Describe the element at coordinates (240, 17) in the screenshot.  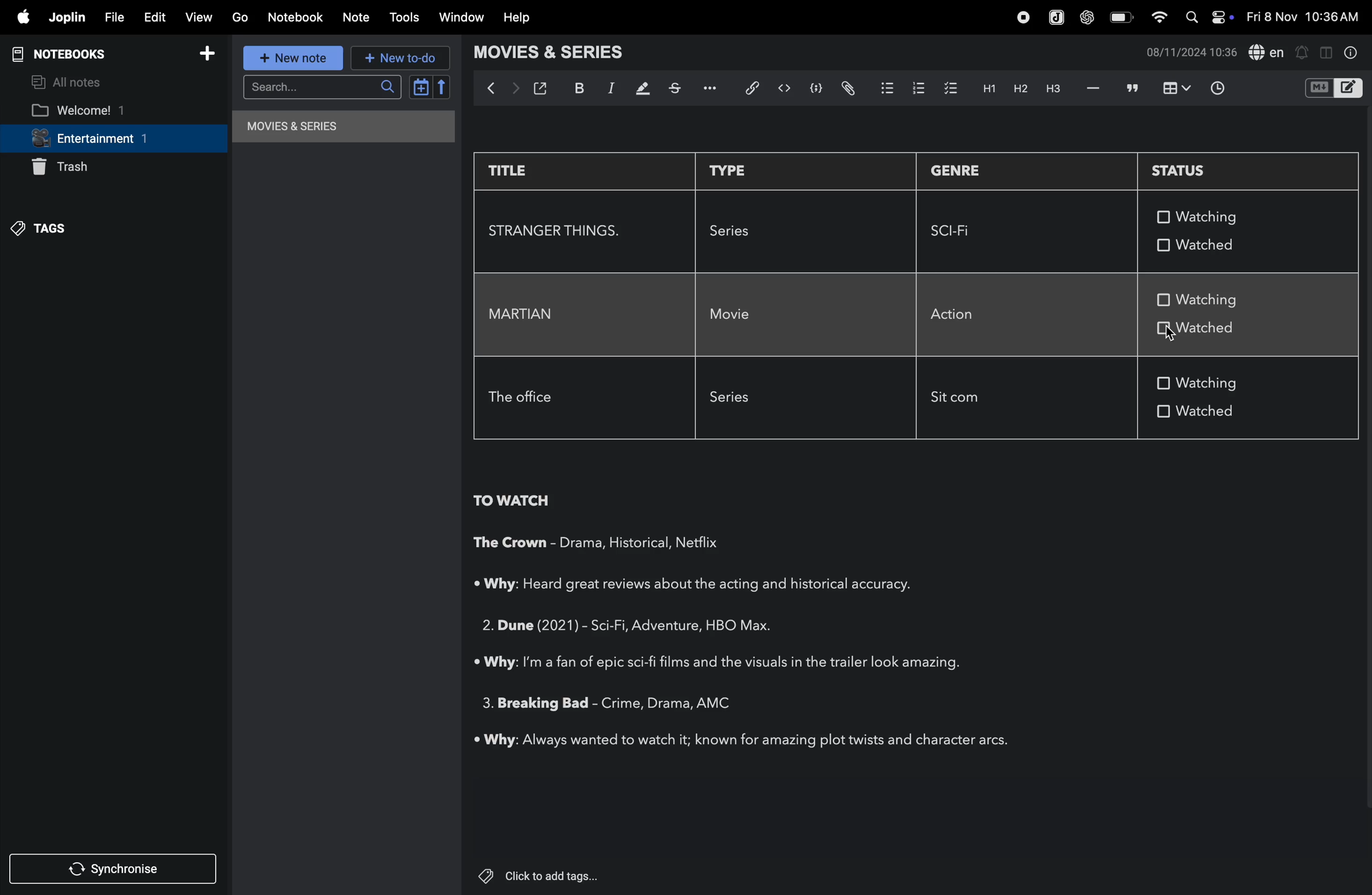
I see `go` at that location.